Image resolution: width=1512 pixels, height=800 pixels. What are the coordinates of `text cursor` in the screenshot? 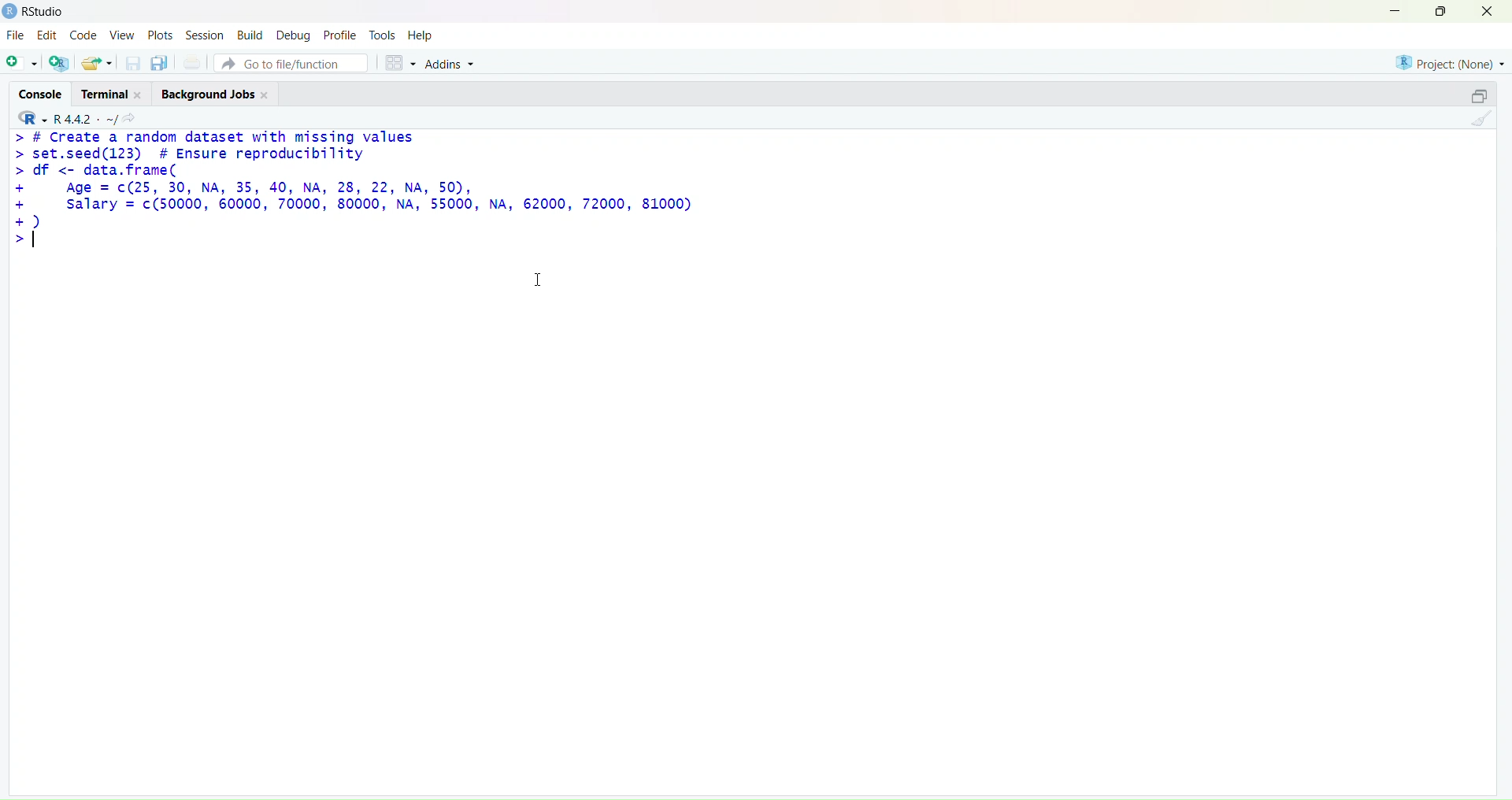 It's located at (31, 241).